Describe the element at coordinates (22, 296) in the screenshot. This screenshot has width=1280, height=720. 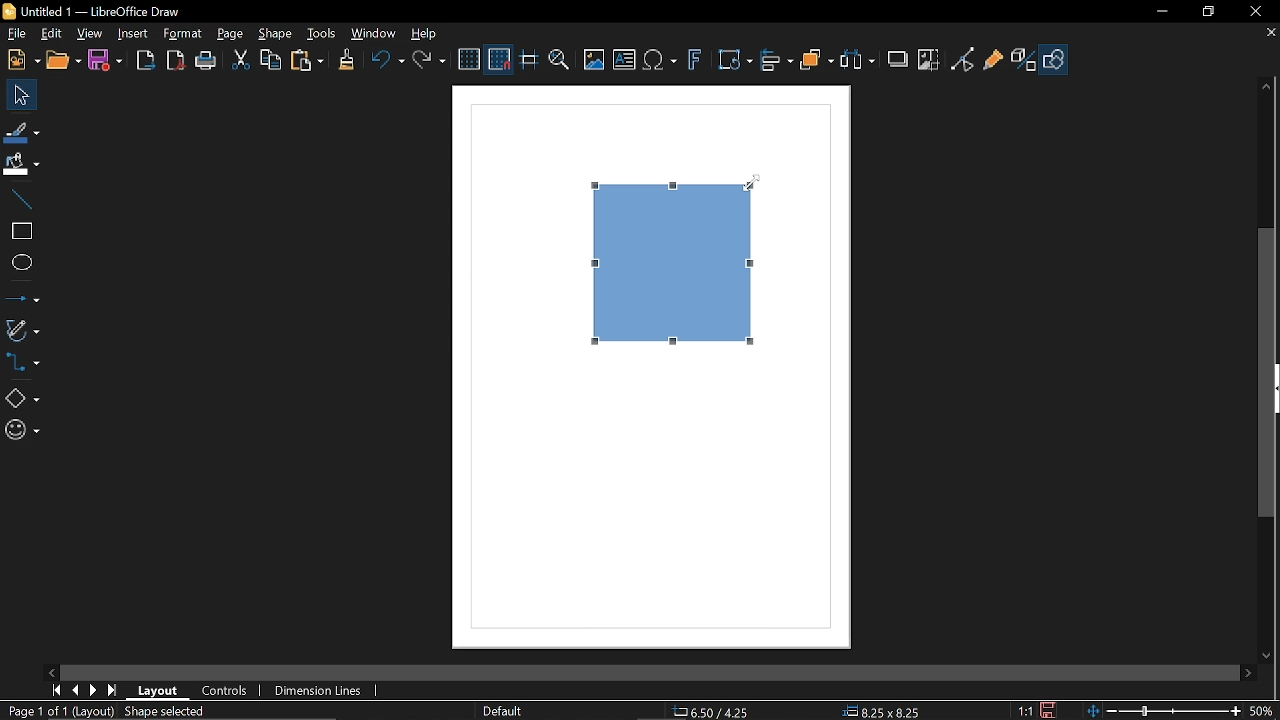
I see `Arrow` at that location.